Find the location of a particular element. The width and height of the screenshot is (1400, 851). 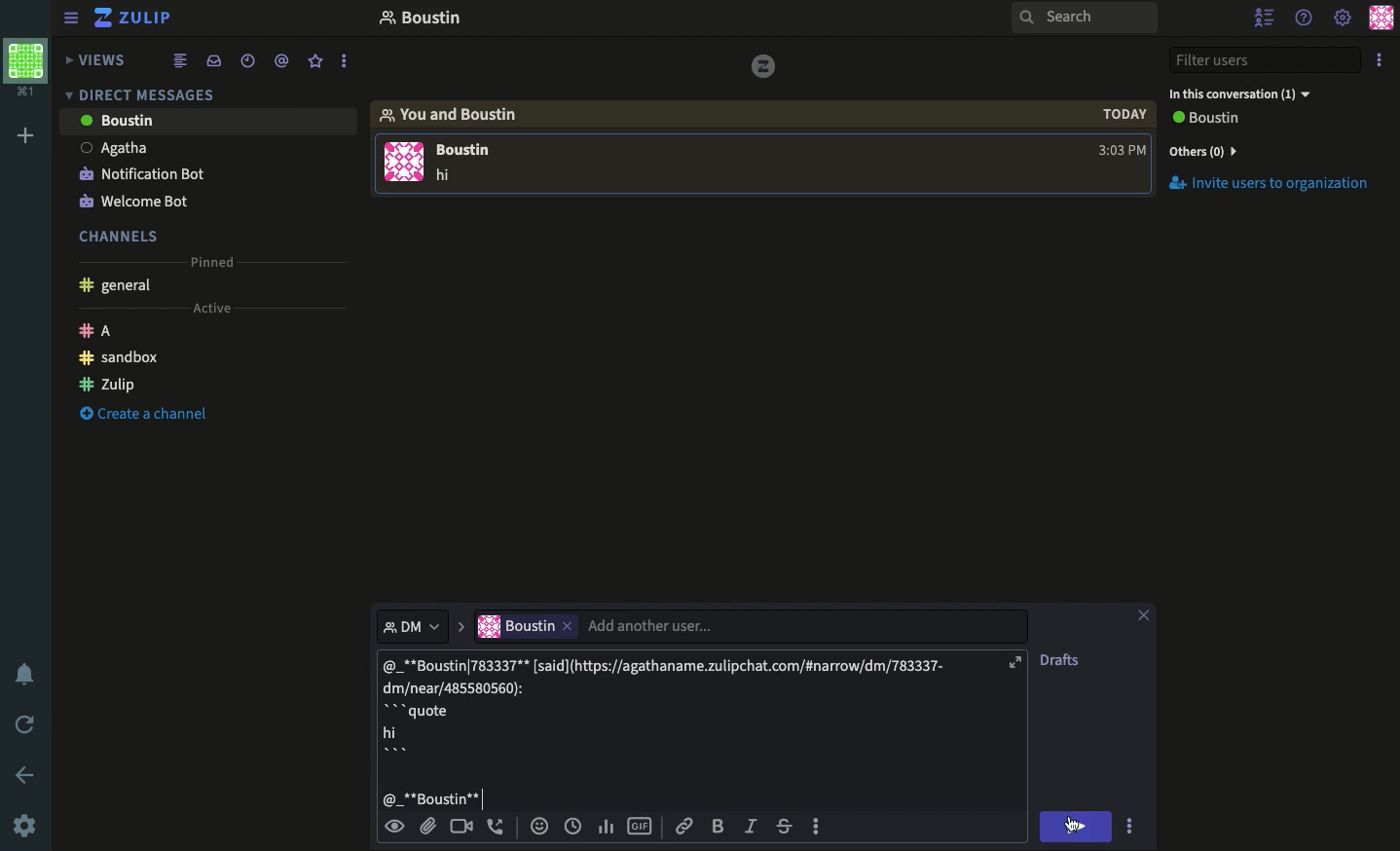

Options is located at coordinates (1129, 825).